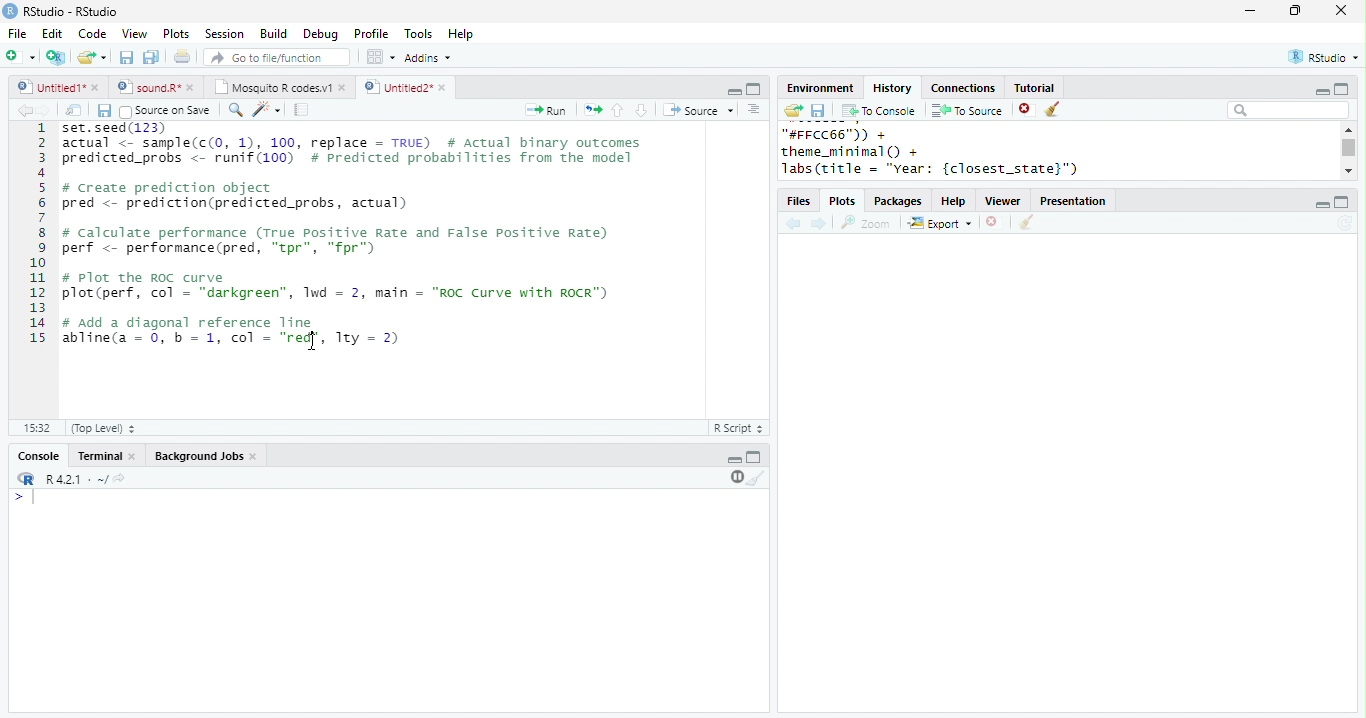 The image size is (1366, 718). I want to click on search, so click(236, 110).